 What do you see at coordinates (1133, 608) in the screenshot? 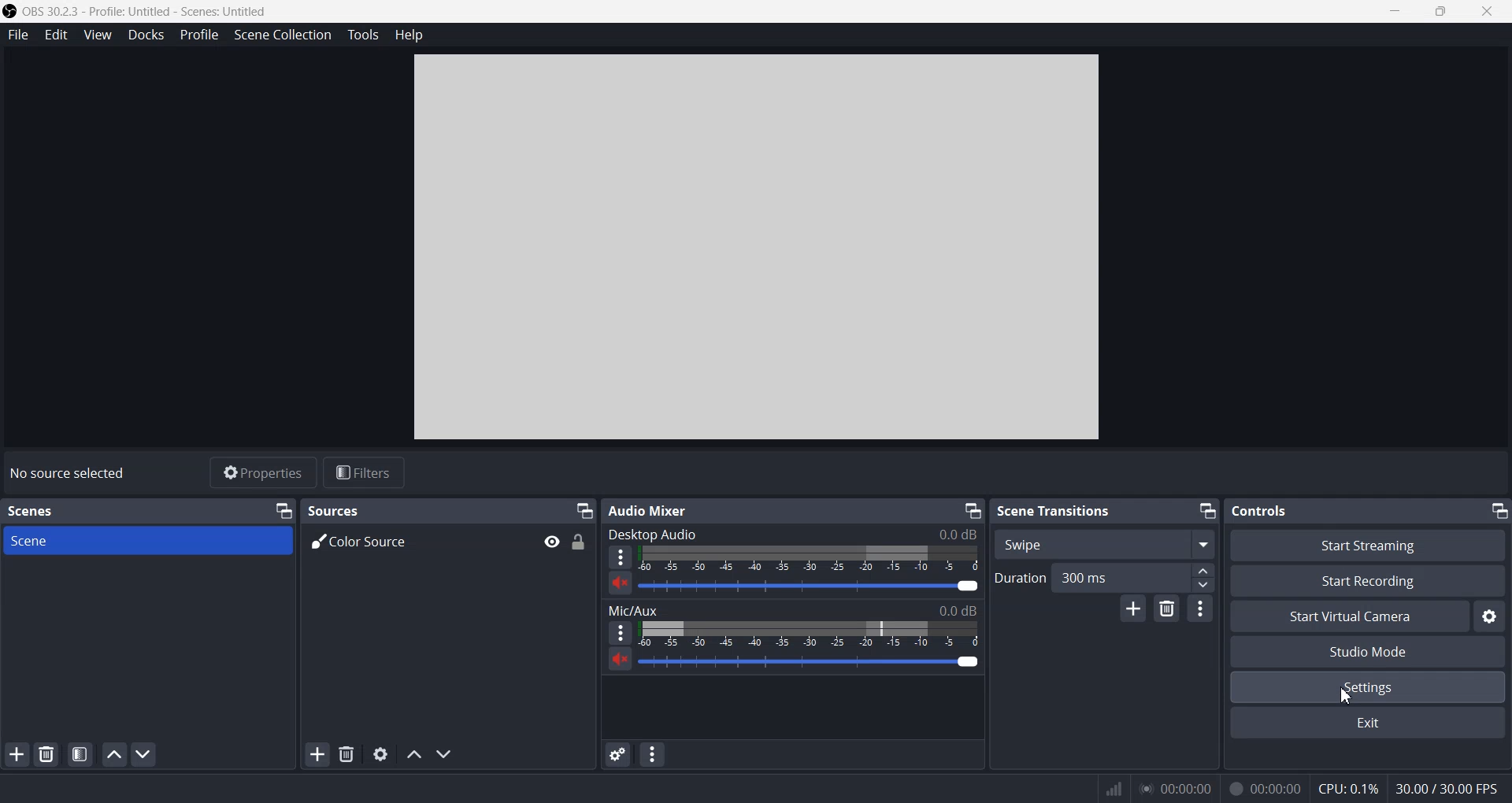
I see `Add configurable Transition` at bounding box center [1133, 608].